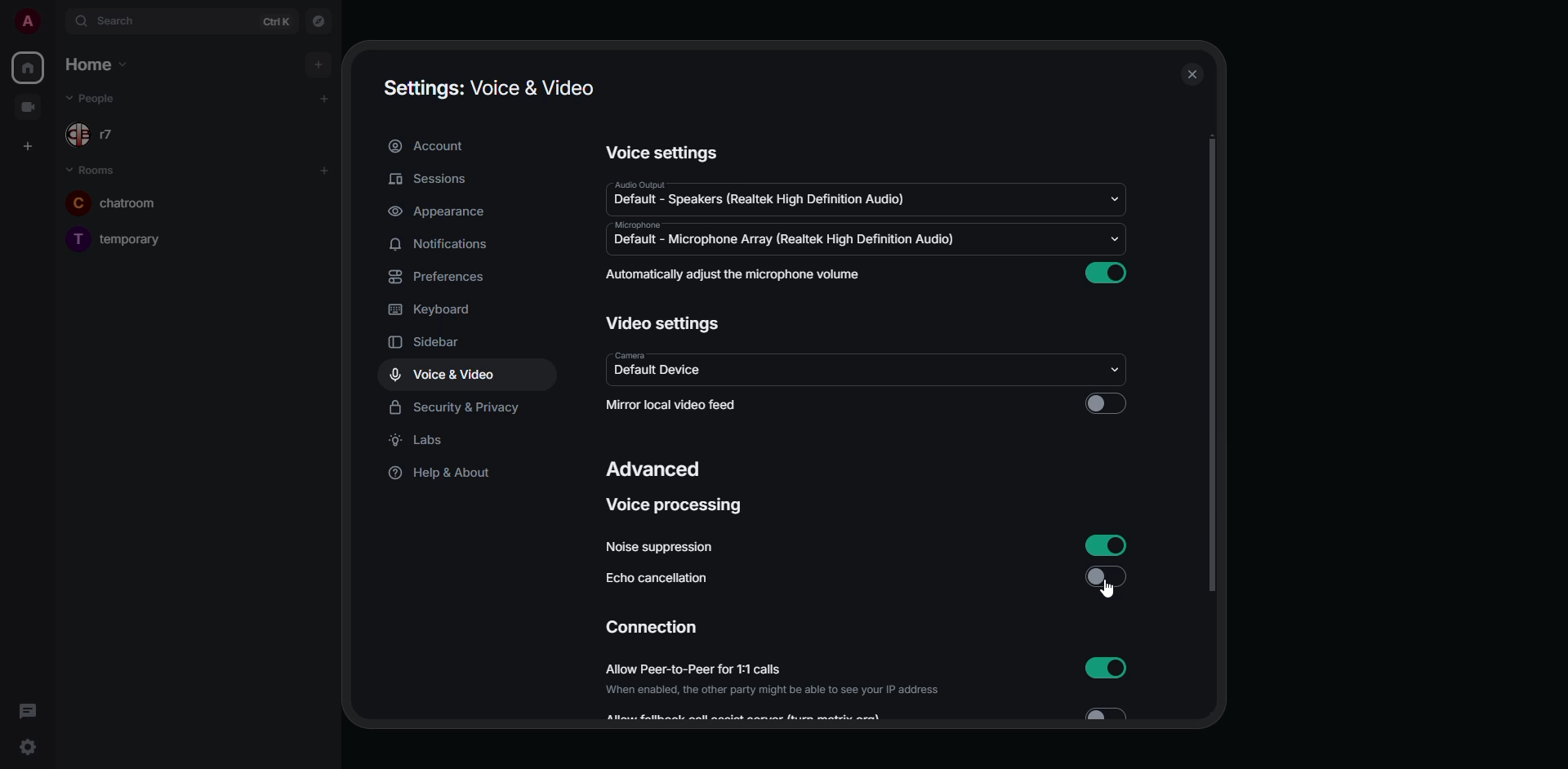 This screenshot has width=1568, height=769. I want to click on enabled, so click(1105, 273).